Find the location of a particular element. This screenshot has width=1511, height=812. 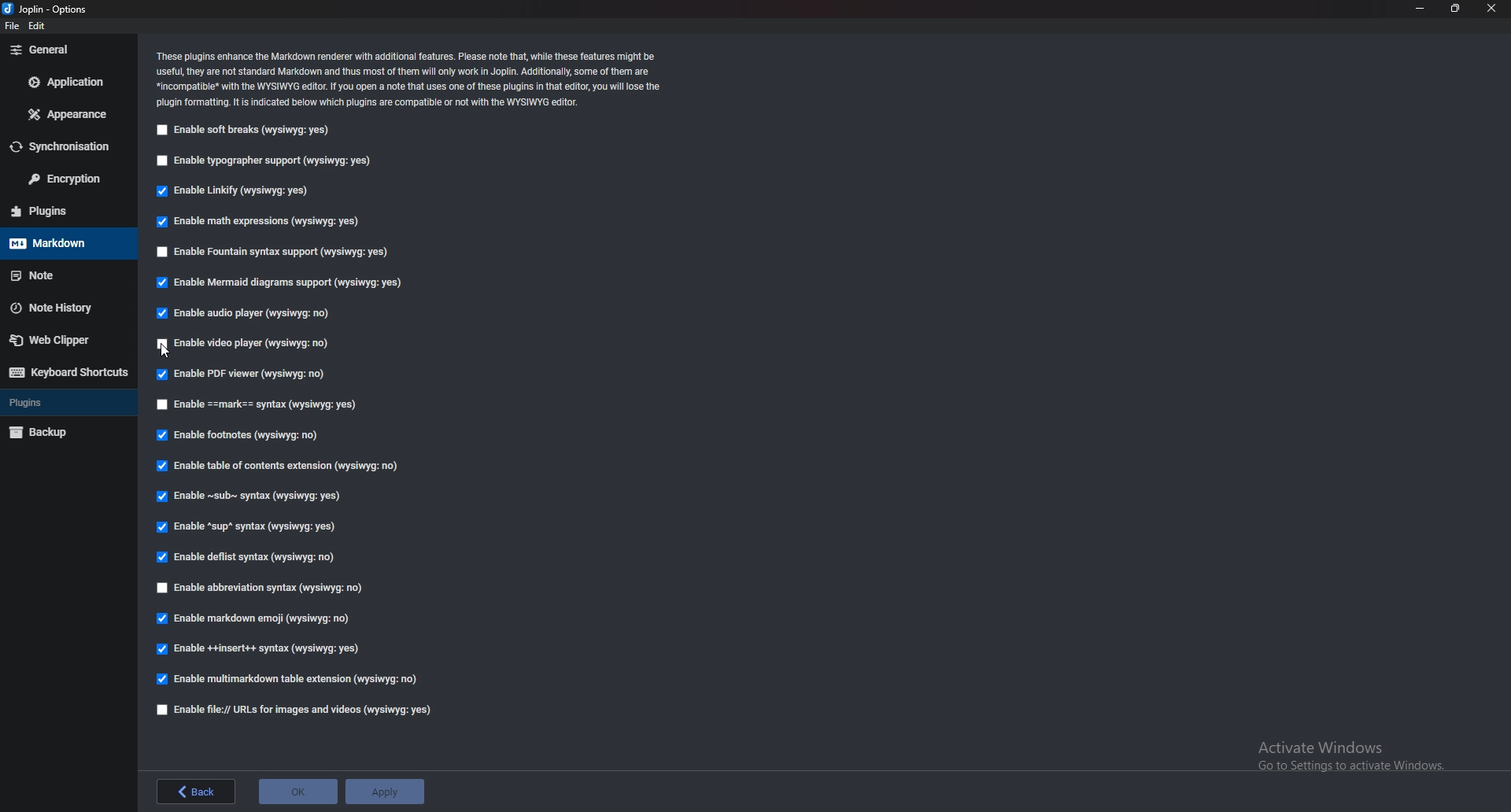

Enable P D F viewer is located at coordinates (239, 374).